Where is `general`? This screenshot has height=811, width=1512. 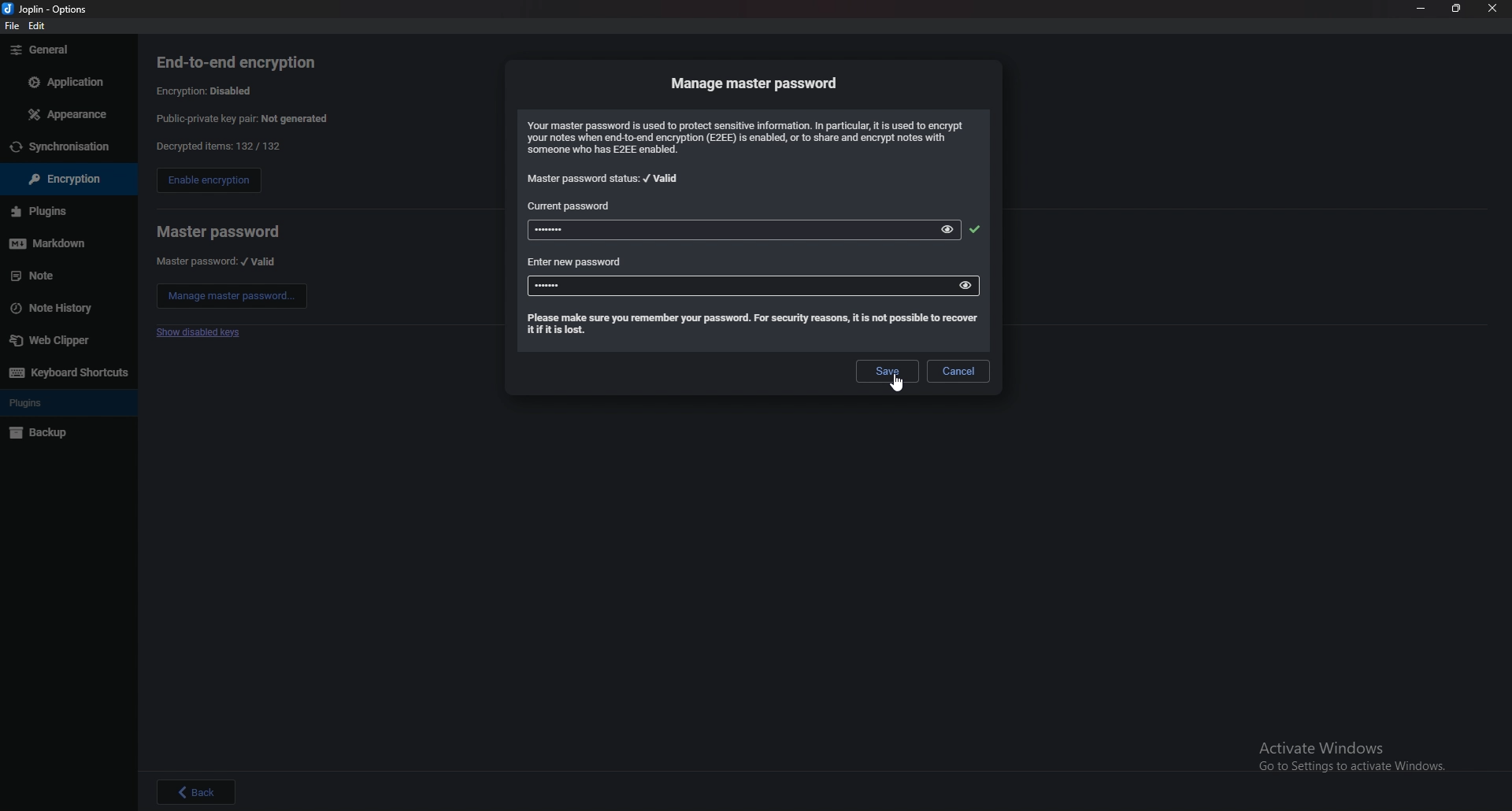 general is located at coordinates (66, 50).